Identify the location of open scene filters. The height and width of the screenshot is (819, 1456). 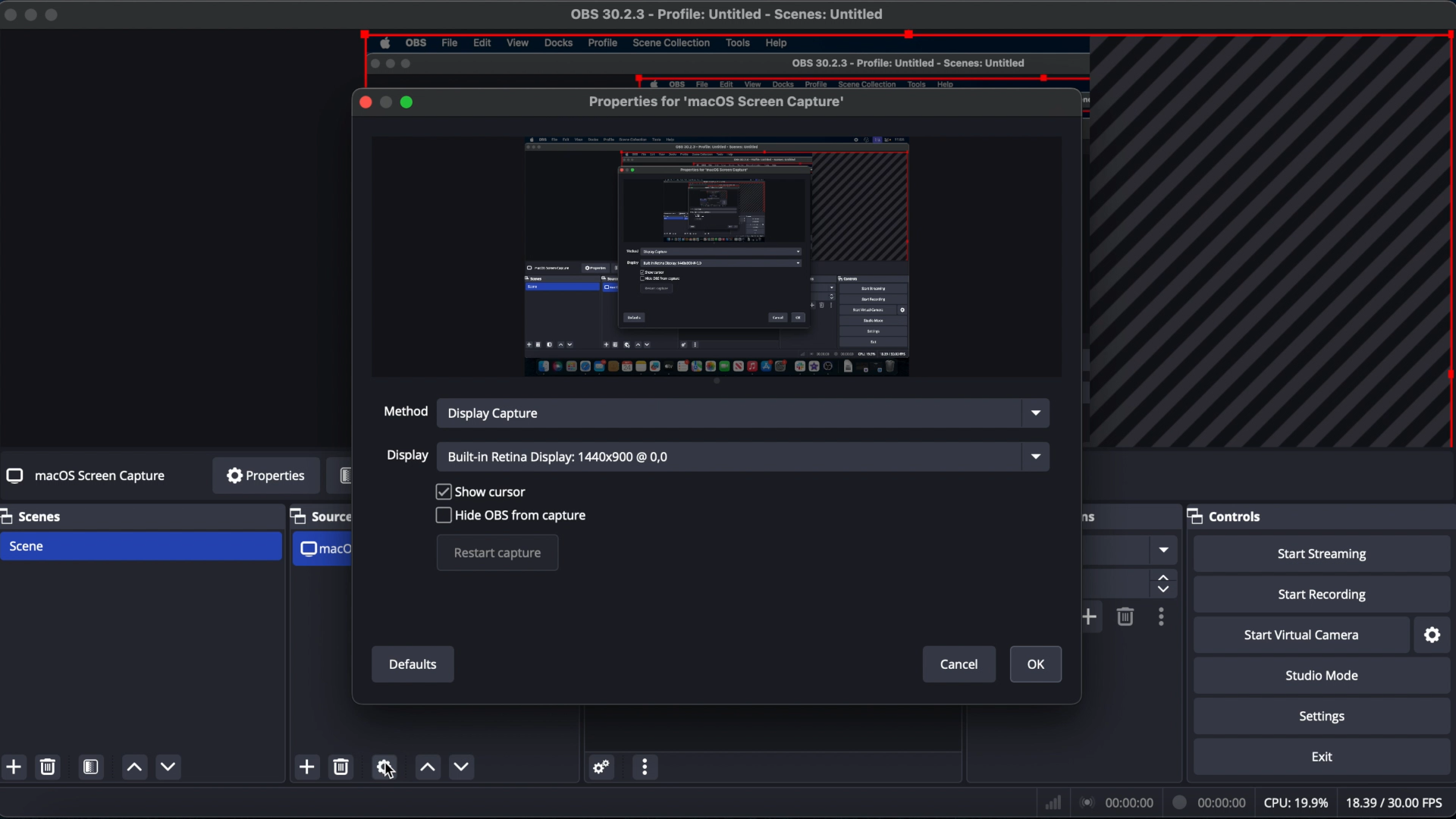
(90, 767).